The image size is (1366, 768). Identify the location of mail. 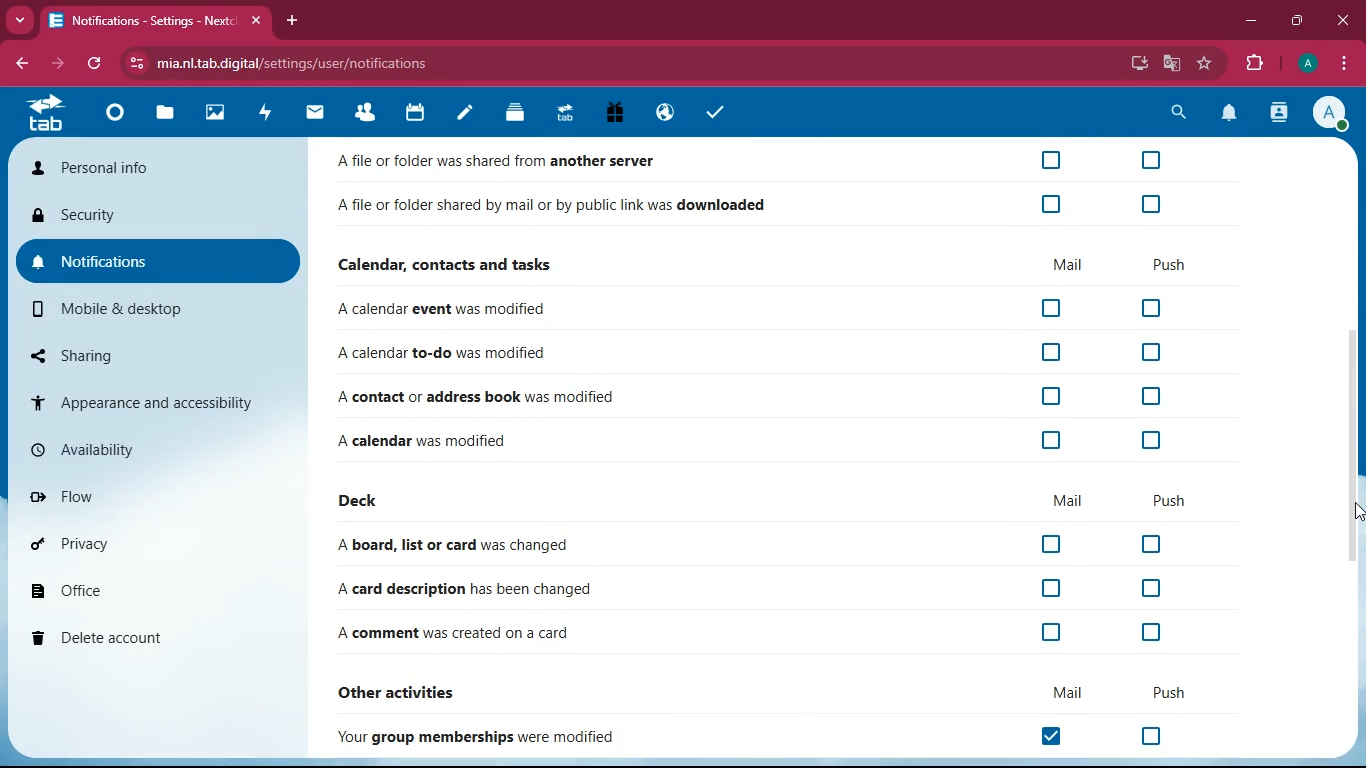
(1069, 263).